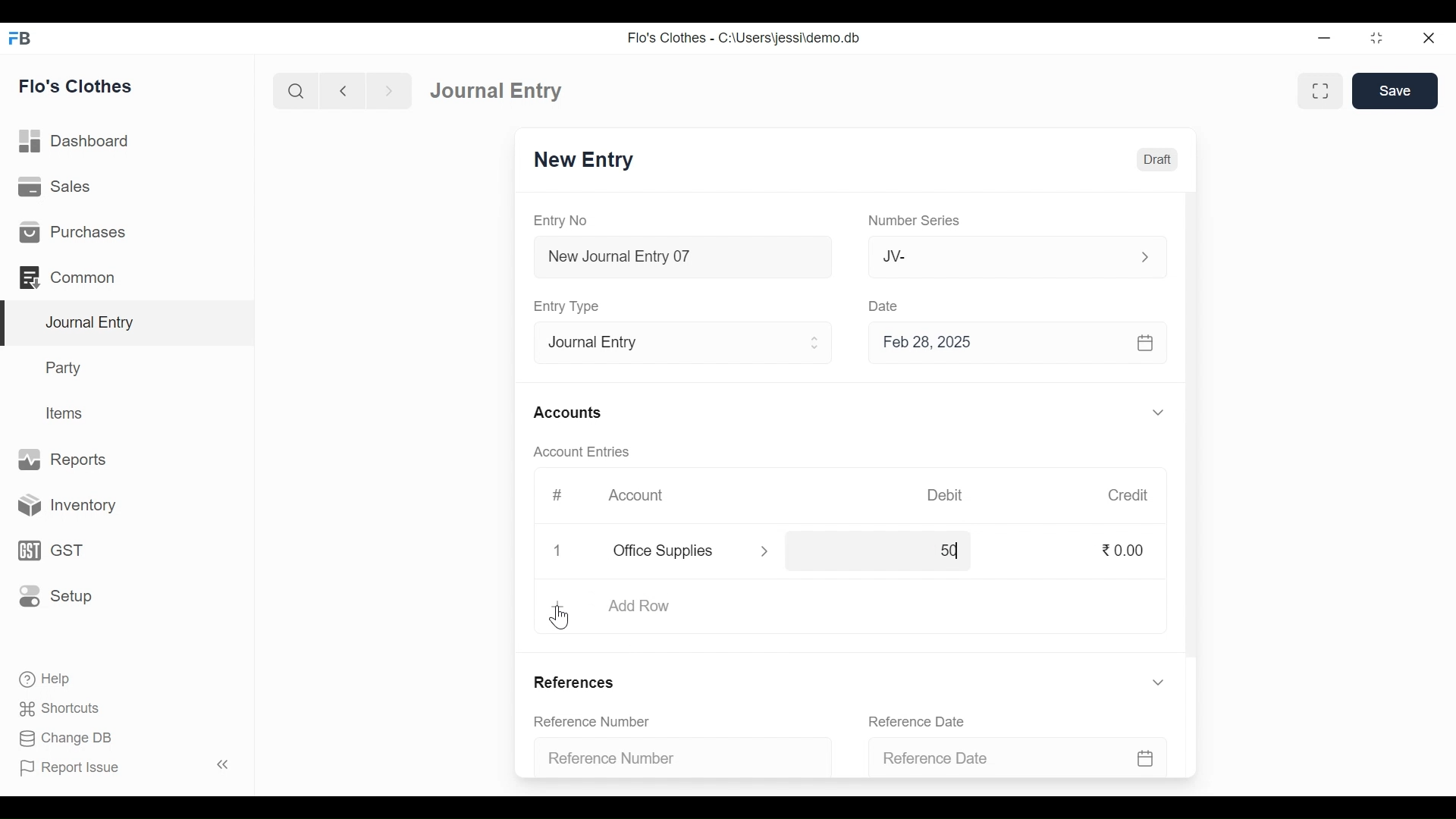  What do you see at coordinates (1158, 412) in the screenshot?
I see `Expand` at bounding box center [1158, 412].